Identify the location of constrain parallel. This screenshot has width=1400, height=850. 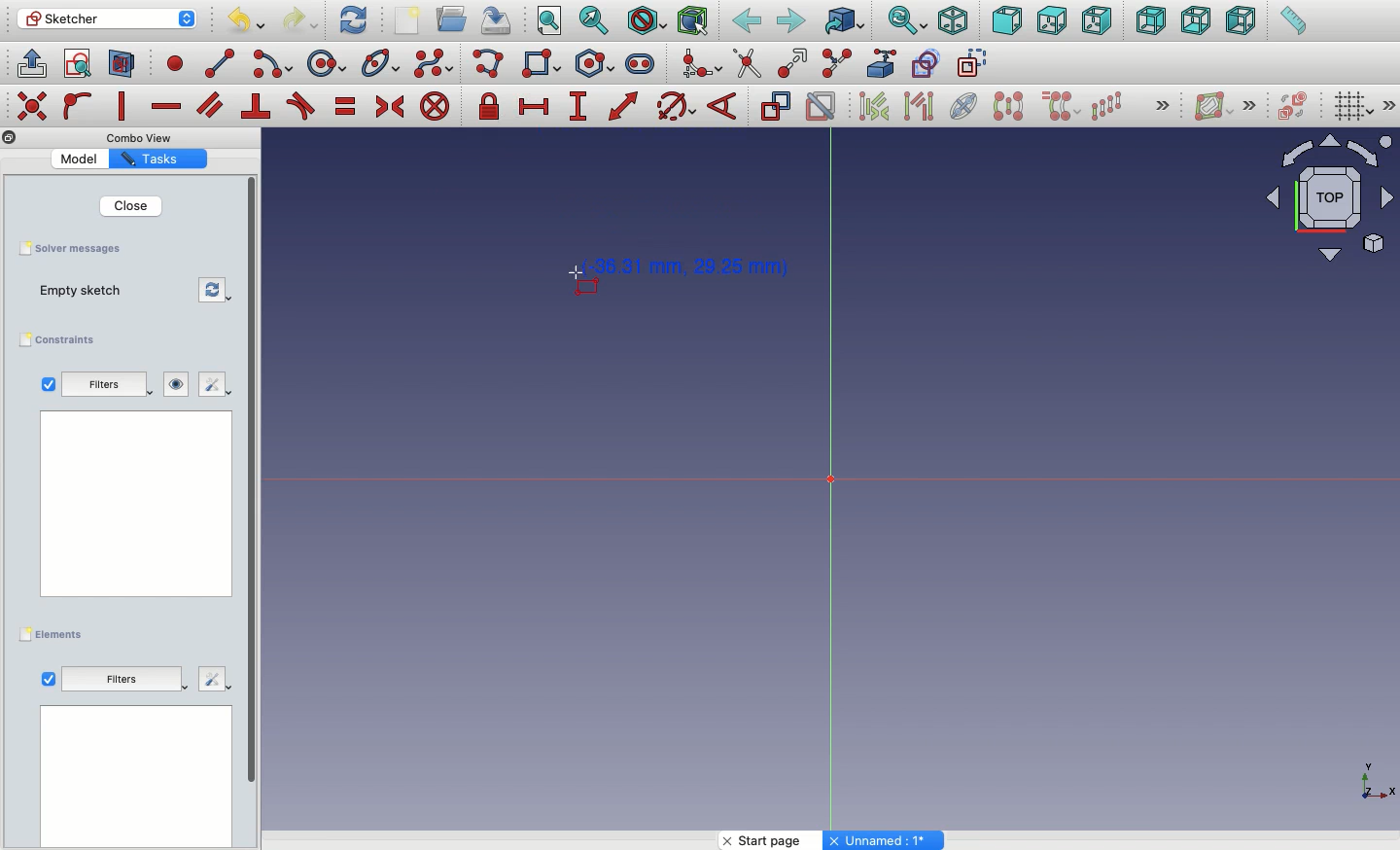
(211, 105).